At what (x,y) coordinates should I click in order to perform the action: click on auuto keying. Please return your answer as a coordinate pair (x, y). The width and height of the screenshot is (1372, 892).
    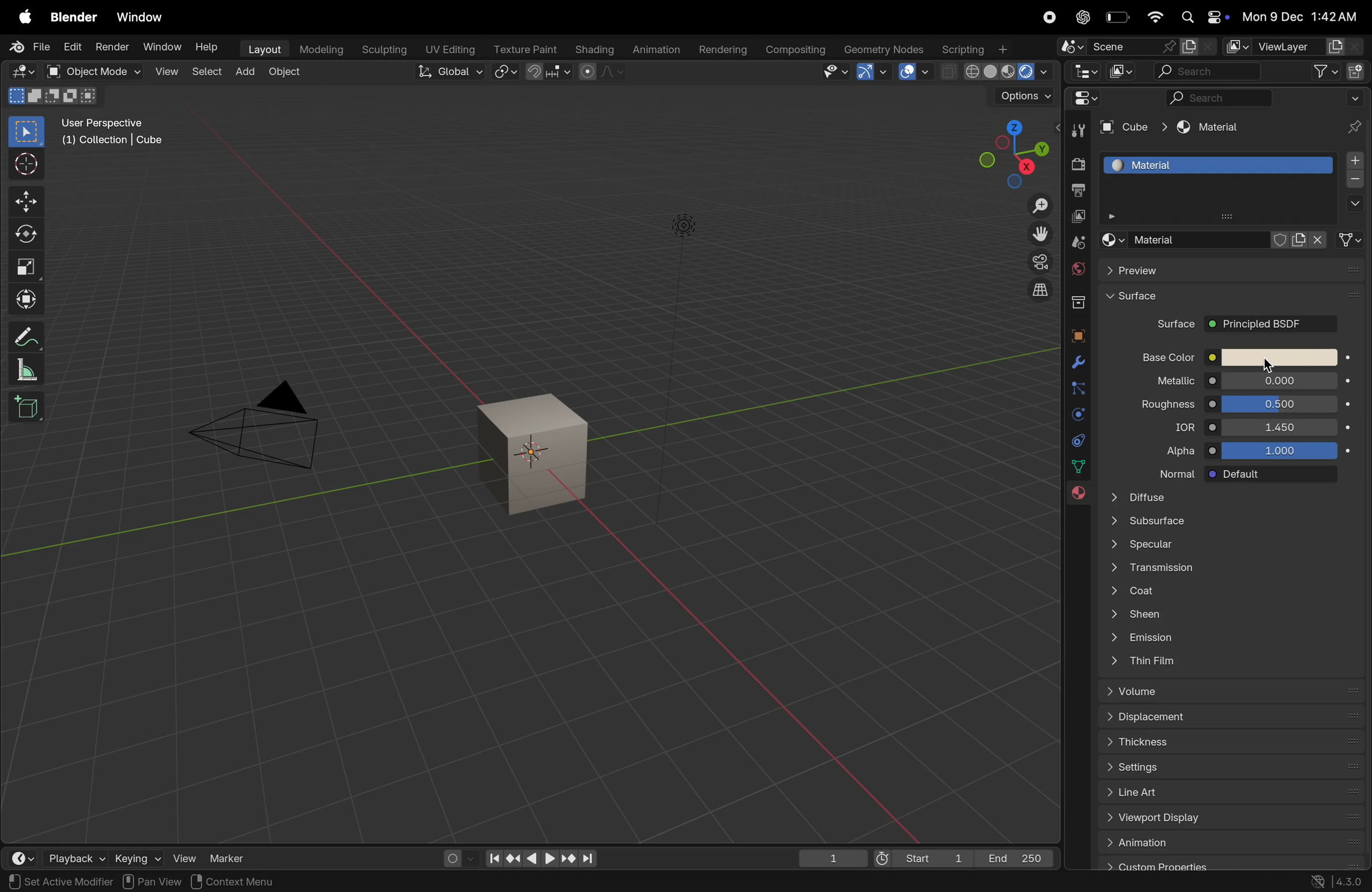
    Looking at the image, I should click on (451, 857).